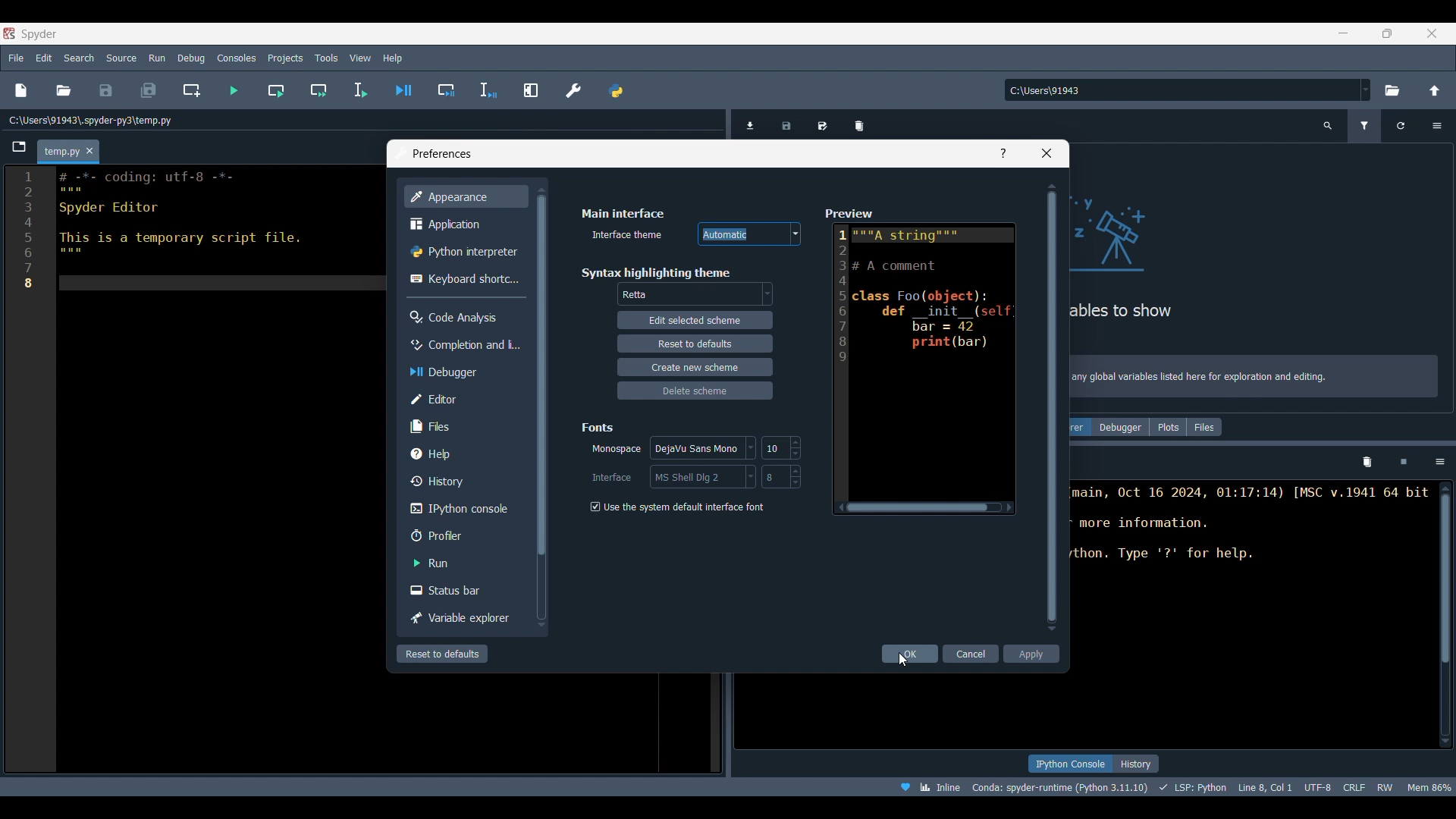  Describe the element at coordinates (615, 90) in the screenshot. I see `PYTHONPATH manager` at that location.